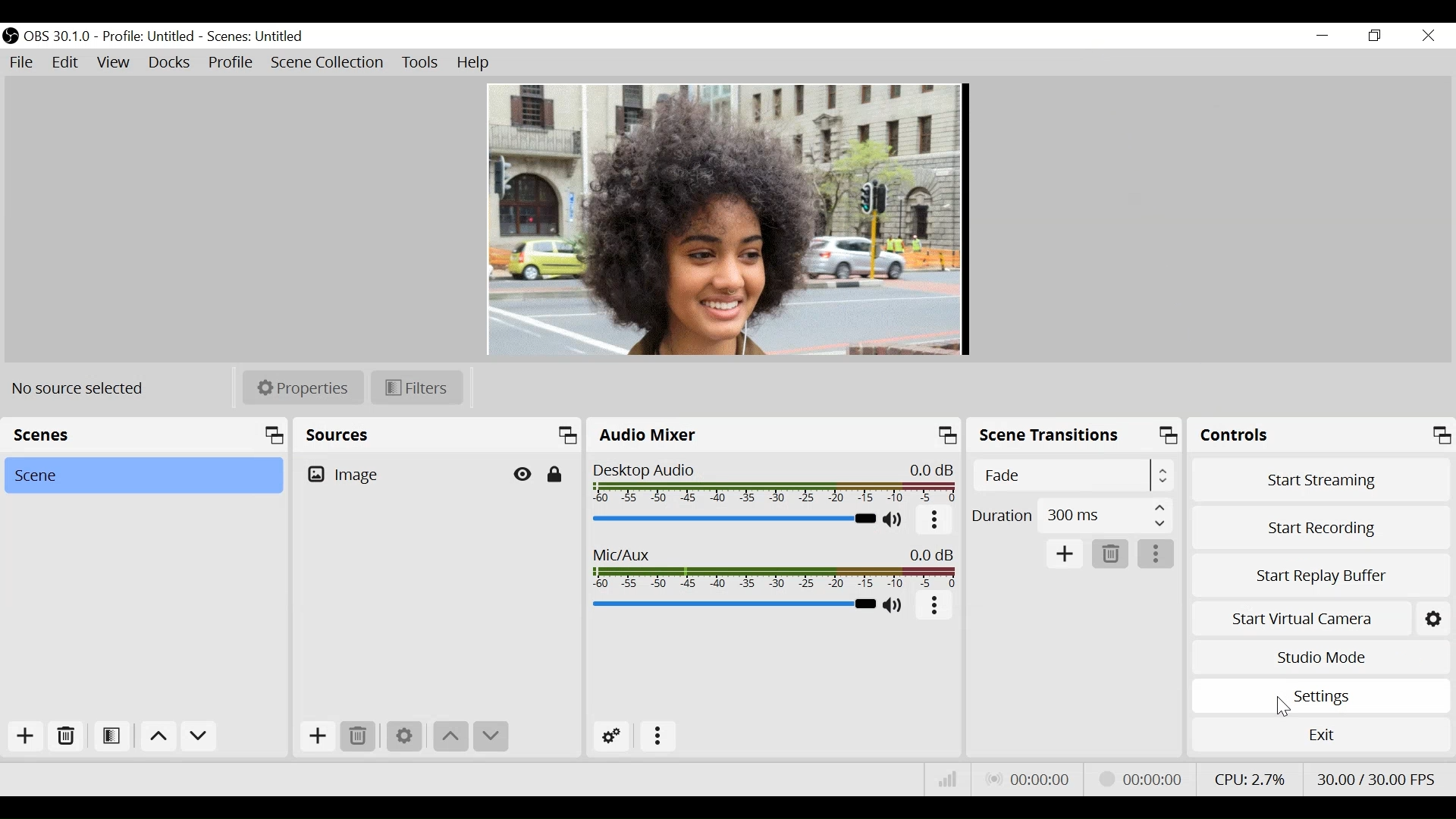  Describe the element at coordinates (1156, 554) in the screenshot. I see `More Options` at that location.